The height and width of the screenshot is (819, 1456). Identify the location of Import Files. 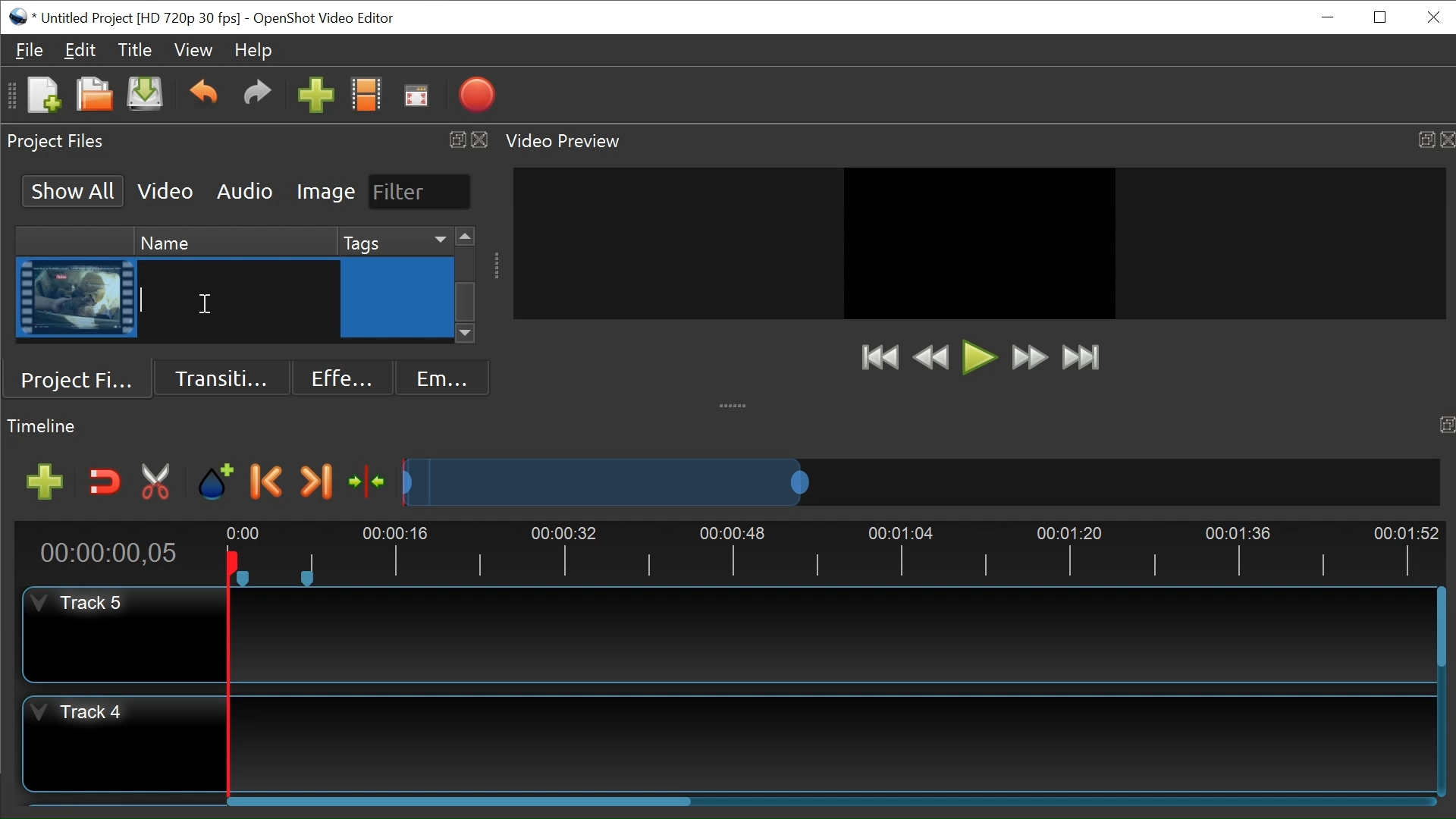
(315, 96).